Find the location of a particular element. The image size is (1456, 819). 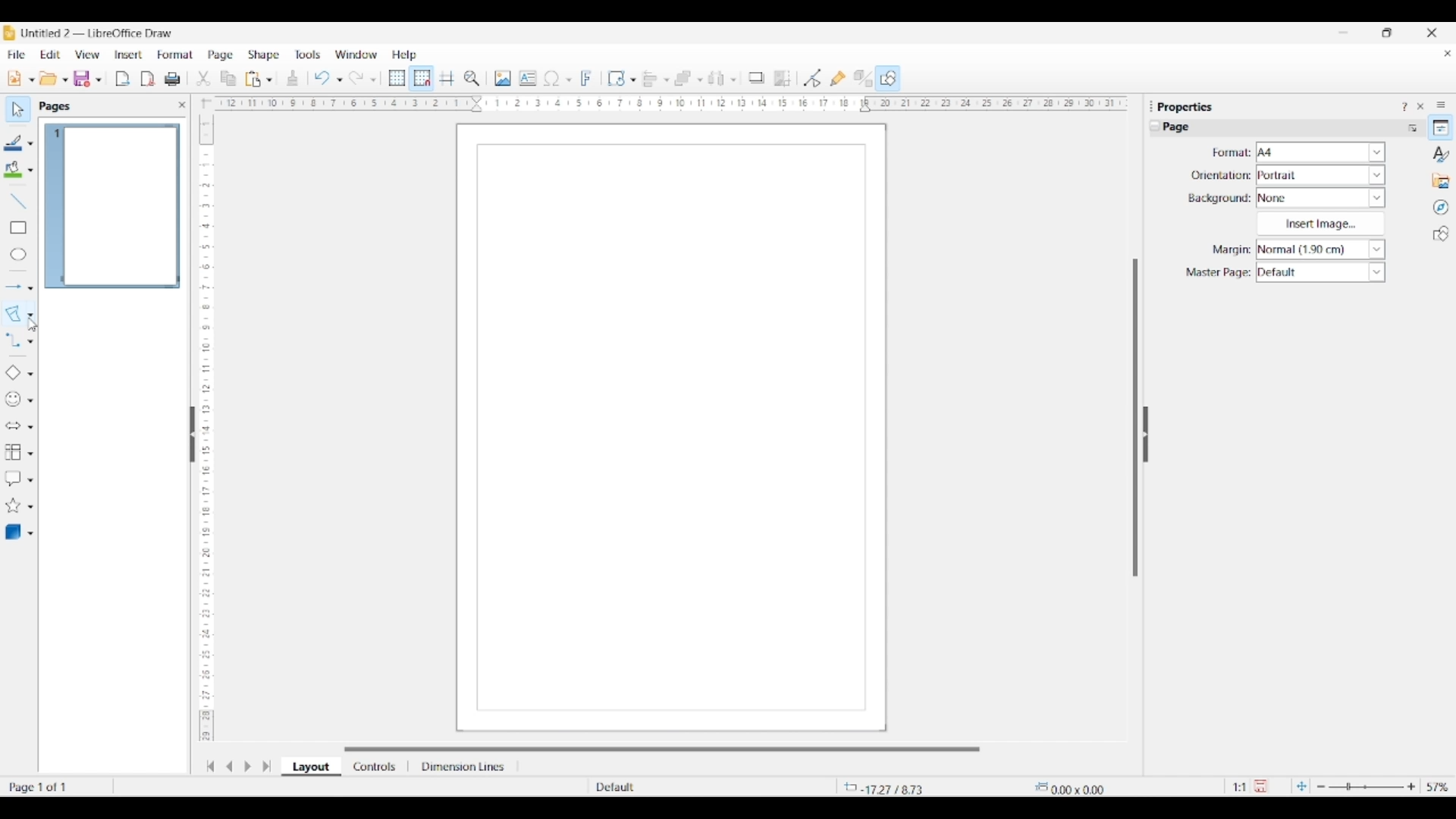

Show interface in smaller tab is located at coordinates (1386, 33).